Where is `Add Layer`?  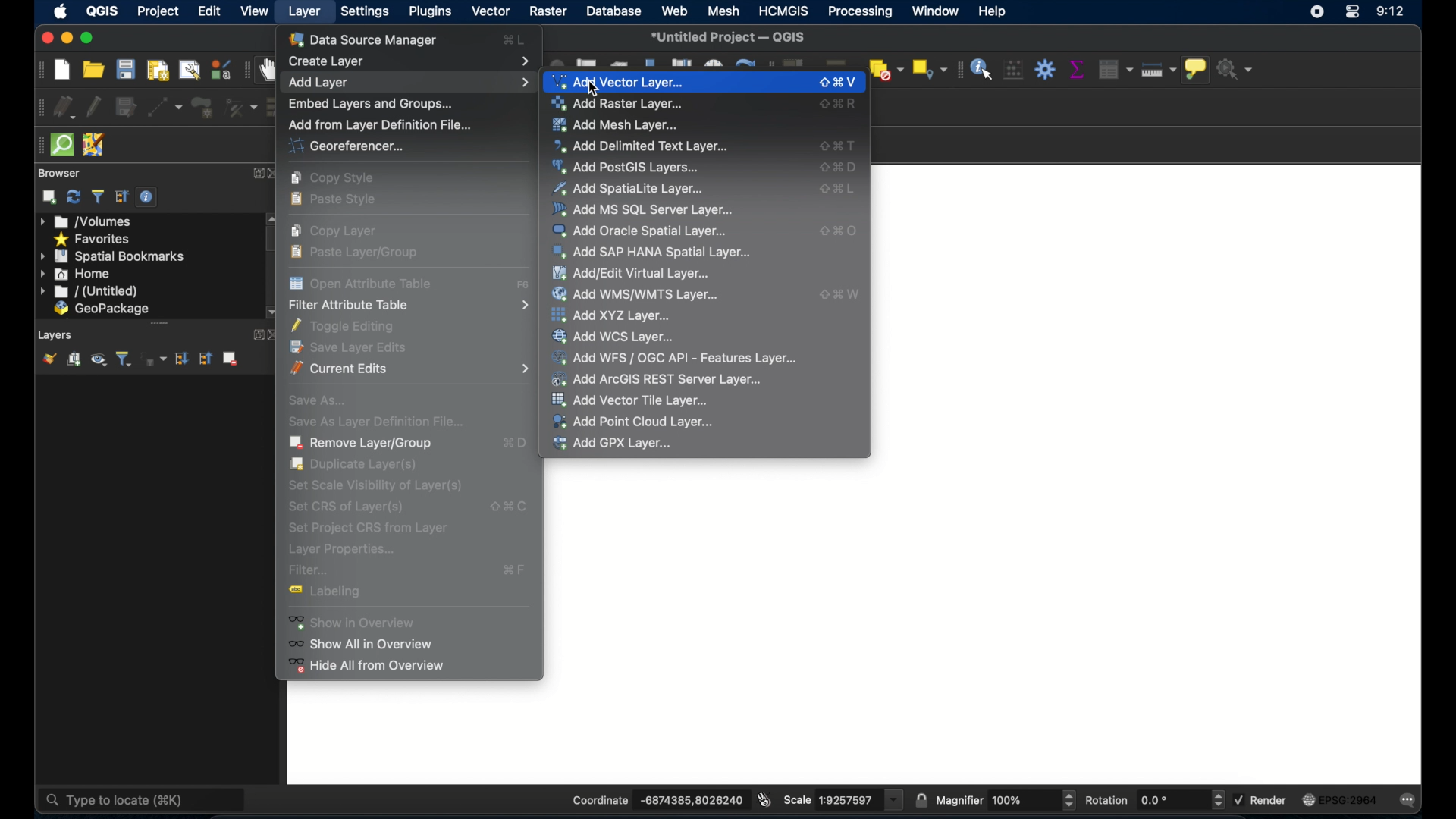 Add Layer is located at coordinates (409, 83).